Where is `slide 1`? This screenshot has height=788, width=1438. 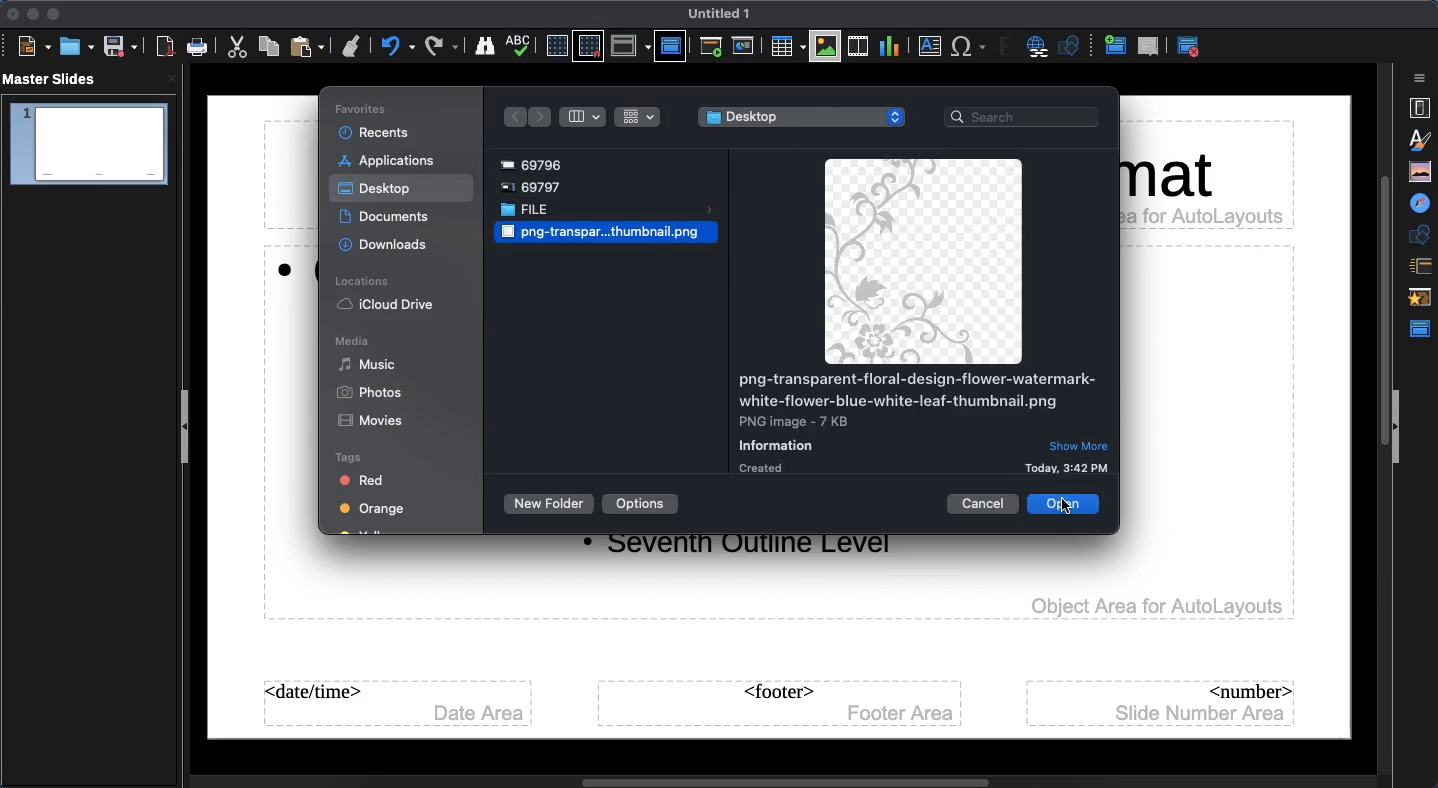 slide 1 is located at coordinates (88, 145).